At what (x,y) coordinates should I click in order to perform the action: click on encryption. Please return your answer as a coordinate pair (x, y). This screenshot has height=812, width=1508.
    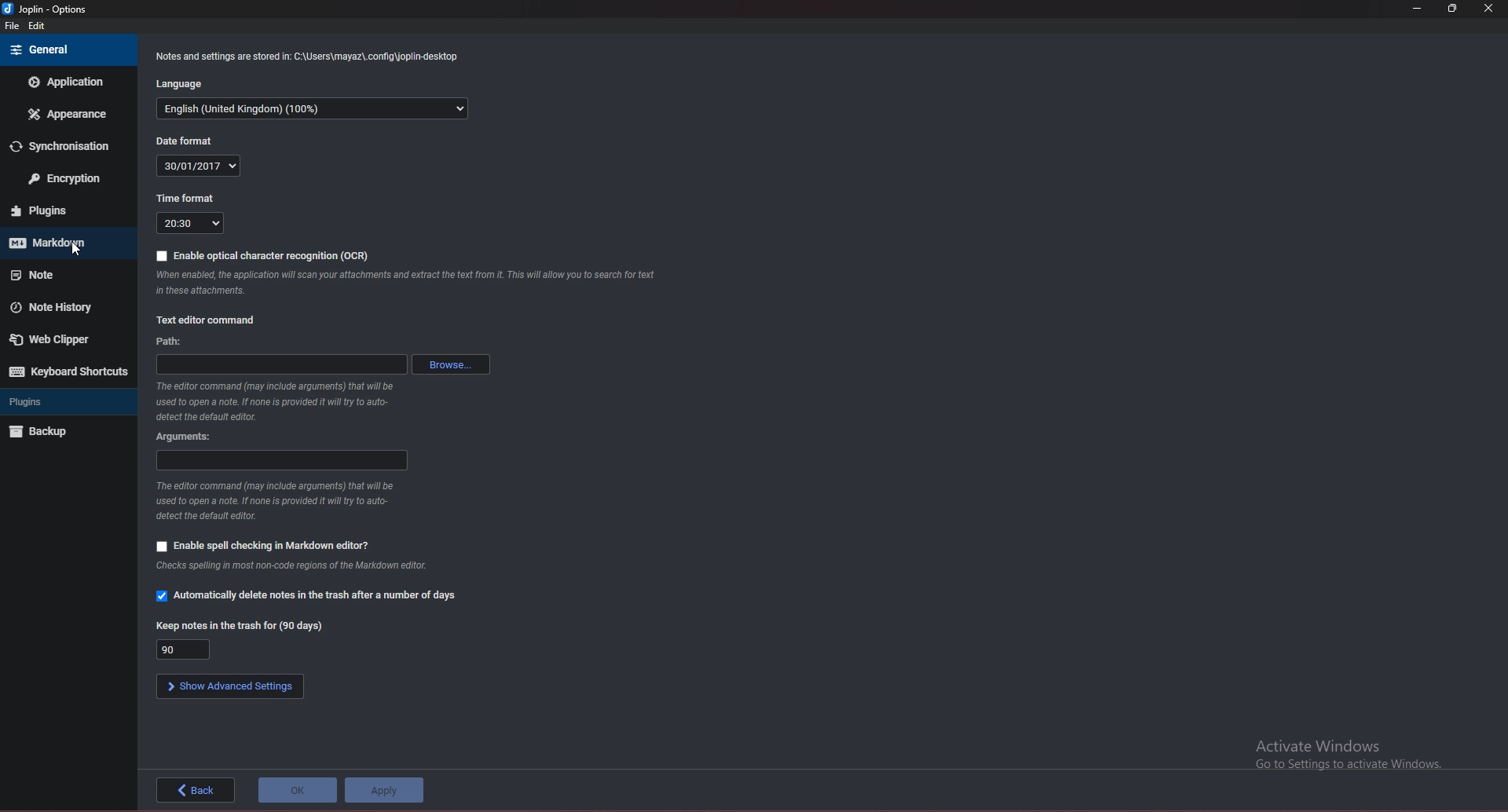
    Looking at the image, I should click on (65, 180).